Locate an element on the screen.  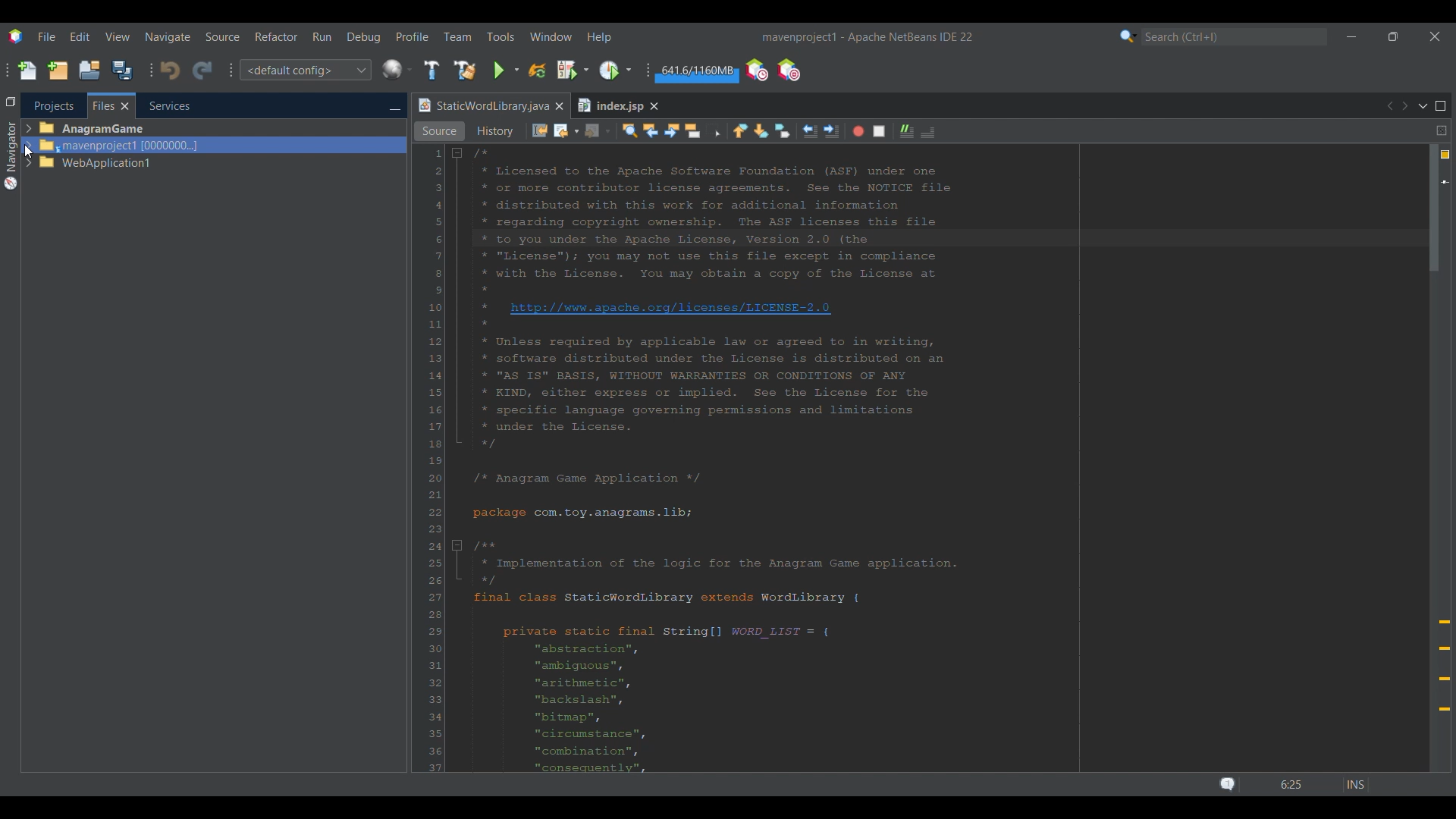
Debug main project is located at coordinates (573, 70).